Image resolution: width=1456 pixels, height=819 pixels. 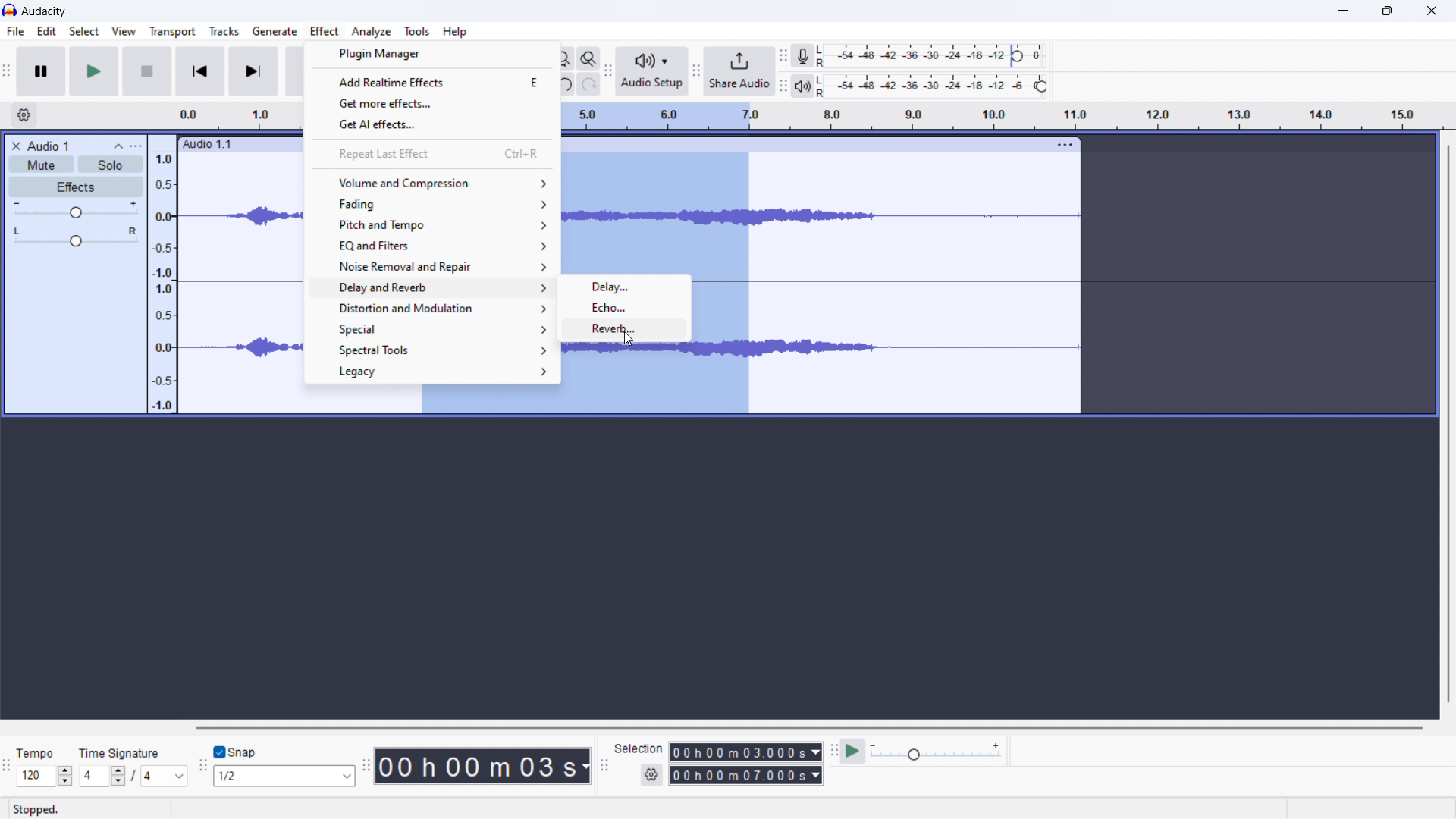 I want to click on skip to end, so click(x=253, y=72).